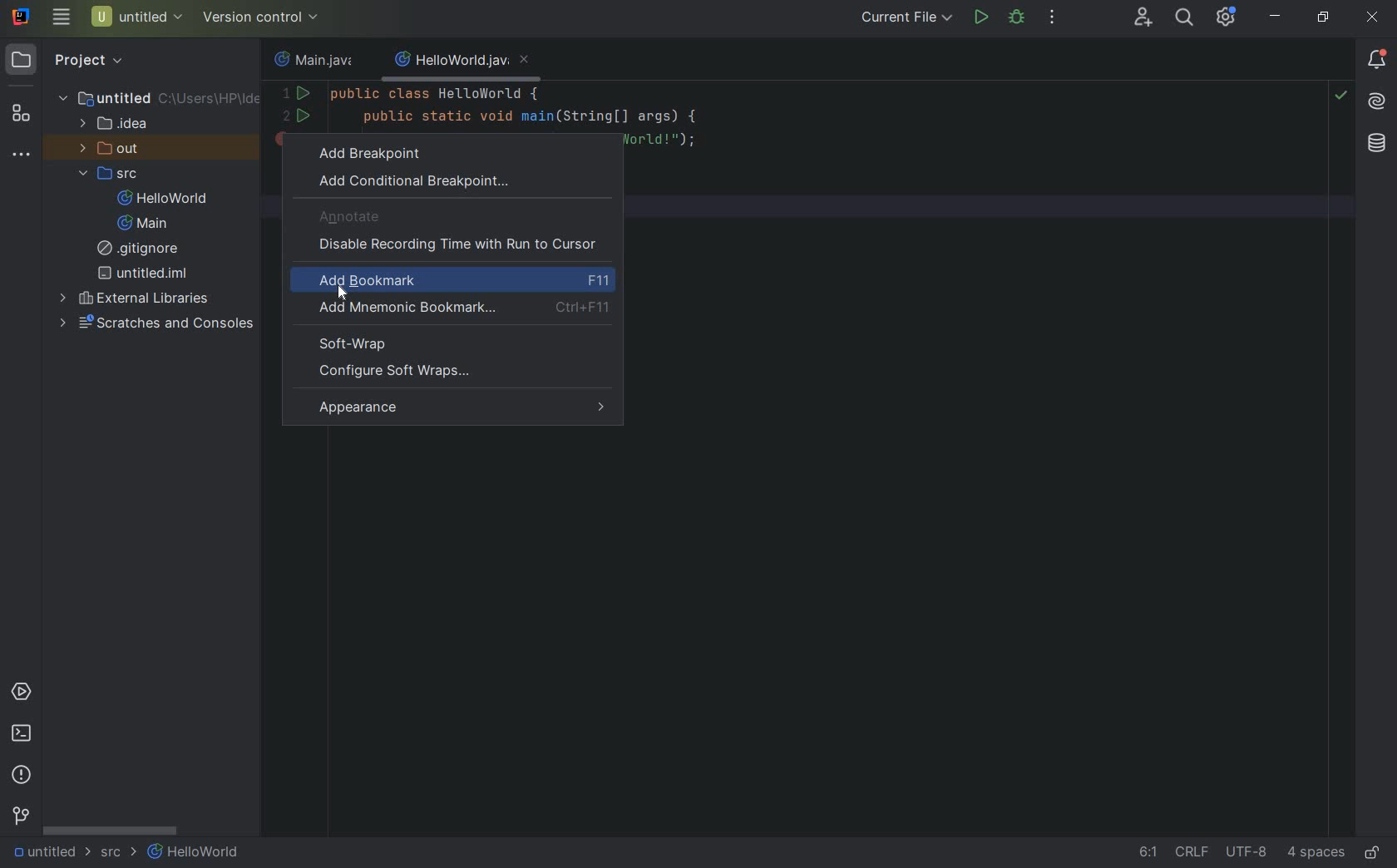  Describe the element at coordinates (116, 856) in the screenshot. I see `src` at that location.